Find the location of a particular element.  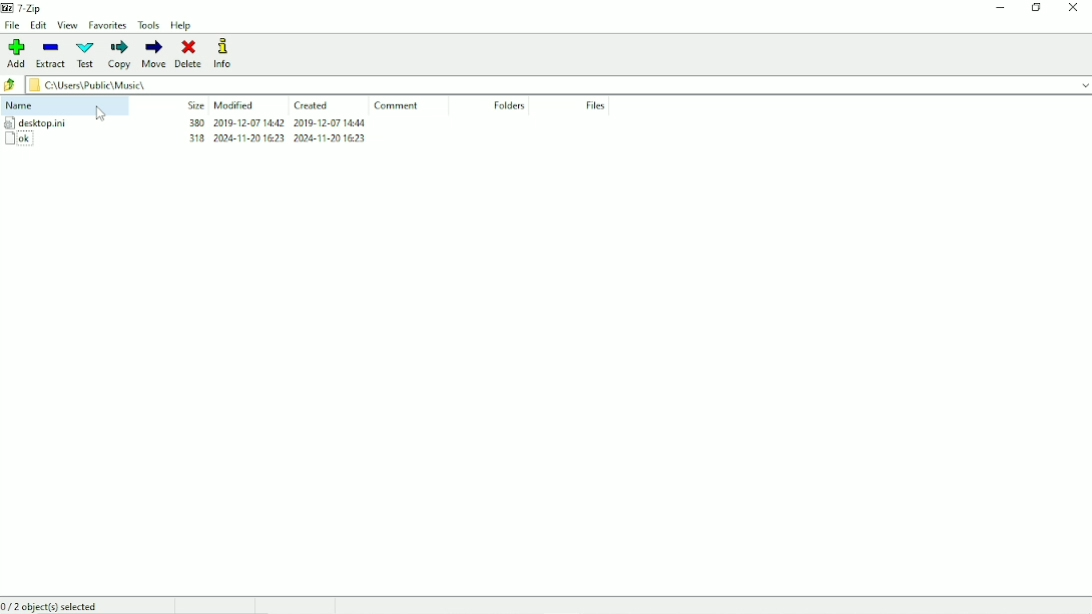

Back is located at coordinates (10, 84).